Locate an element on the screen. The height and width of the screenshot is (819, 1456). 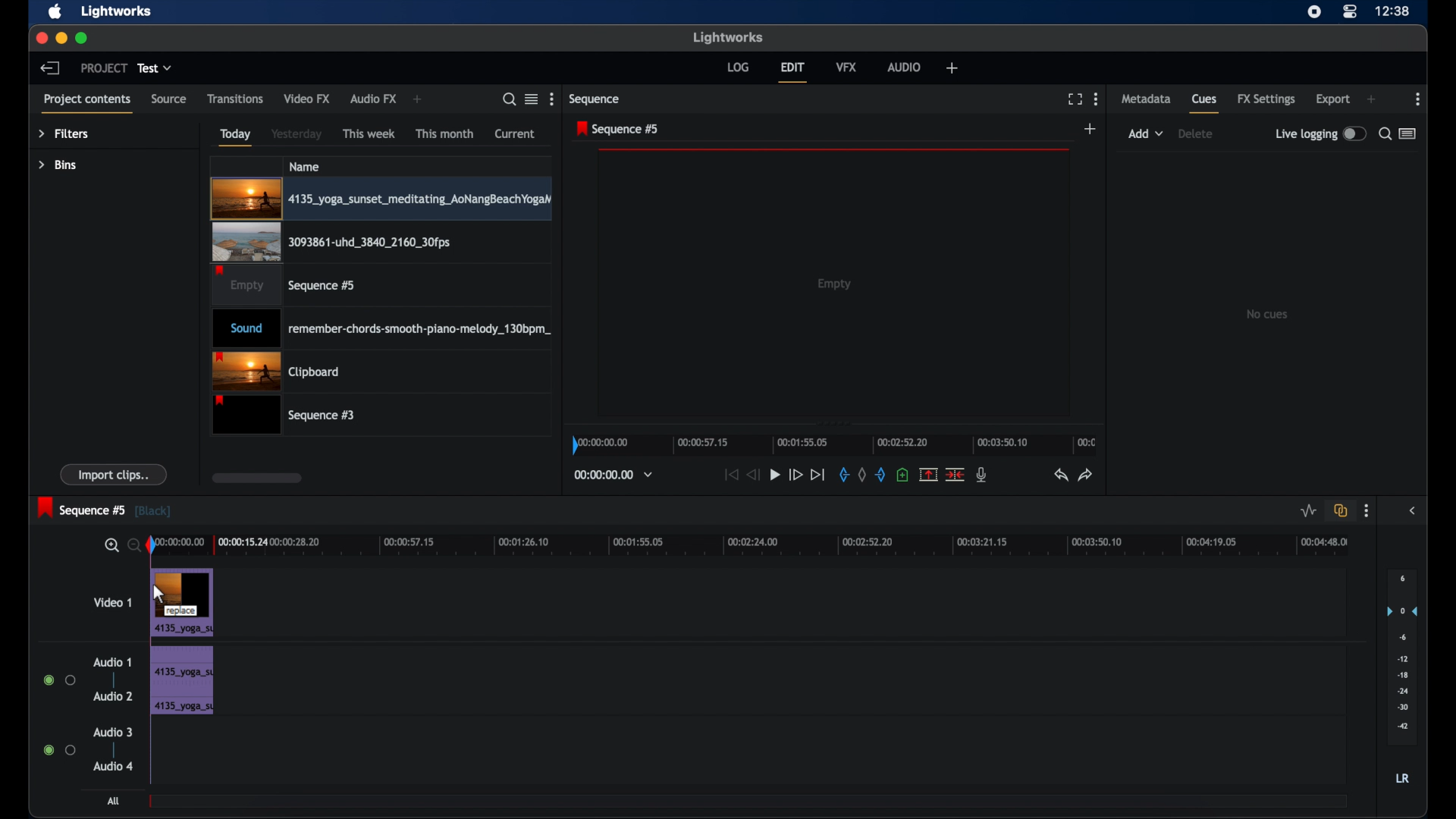
bins is located at coordinates (58, 165).